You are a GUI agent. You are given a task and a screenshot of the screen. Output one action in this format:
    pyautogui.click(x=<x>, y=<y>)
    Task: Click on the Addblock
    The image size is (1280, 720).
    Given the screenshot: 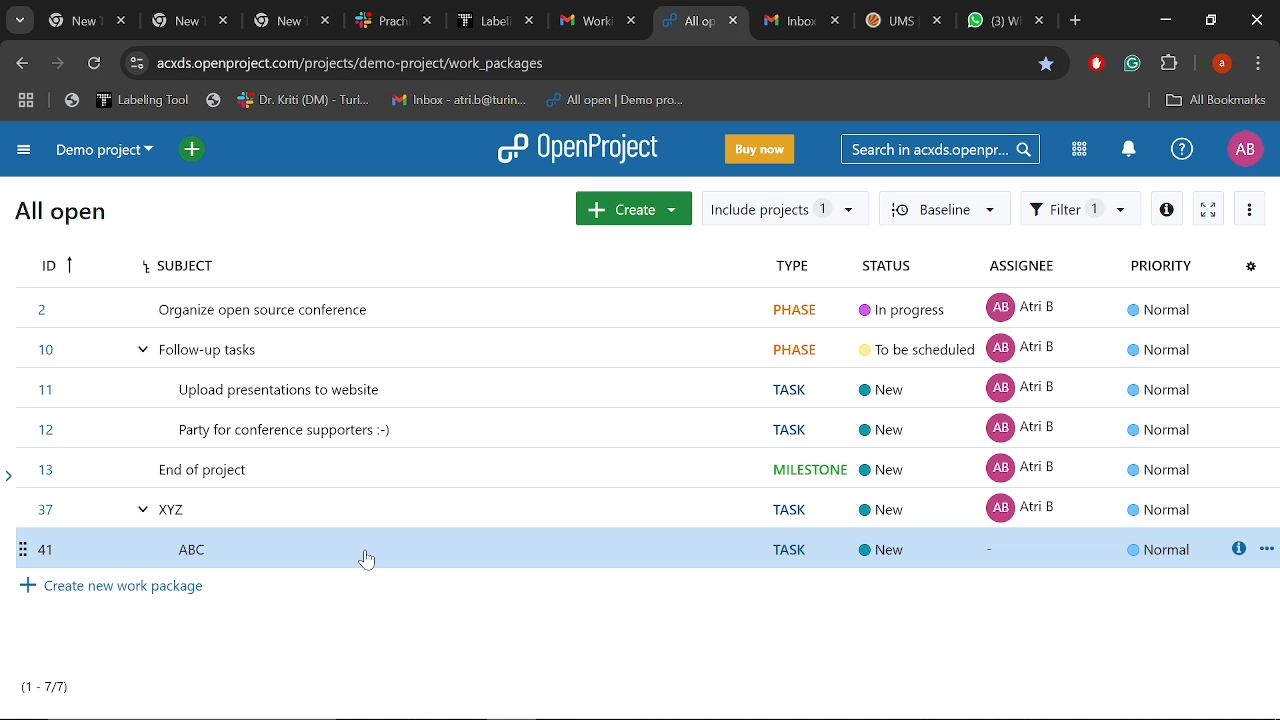 What is the action you would take?
    pyautogui.click(x=1096, y=63)
    